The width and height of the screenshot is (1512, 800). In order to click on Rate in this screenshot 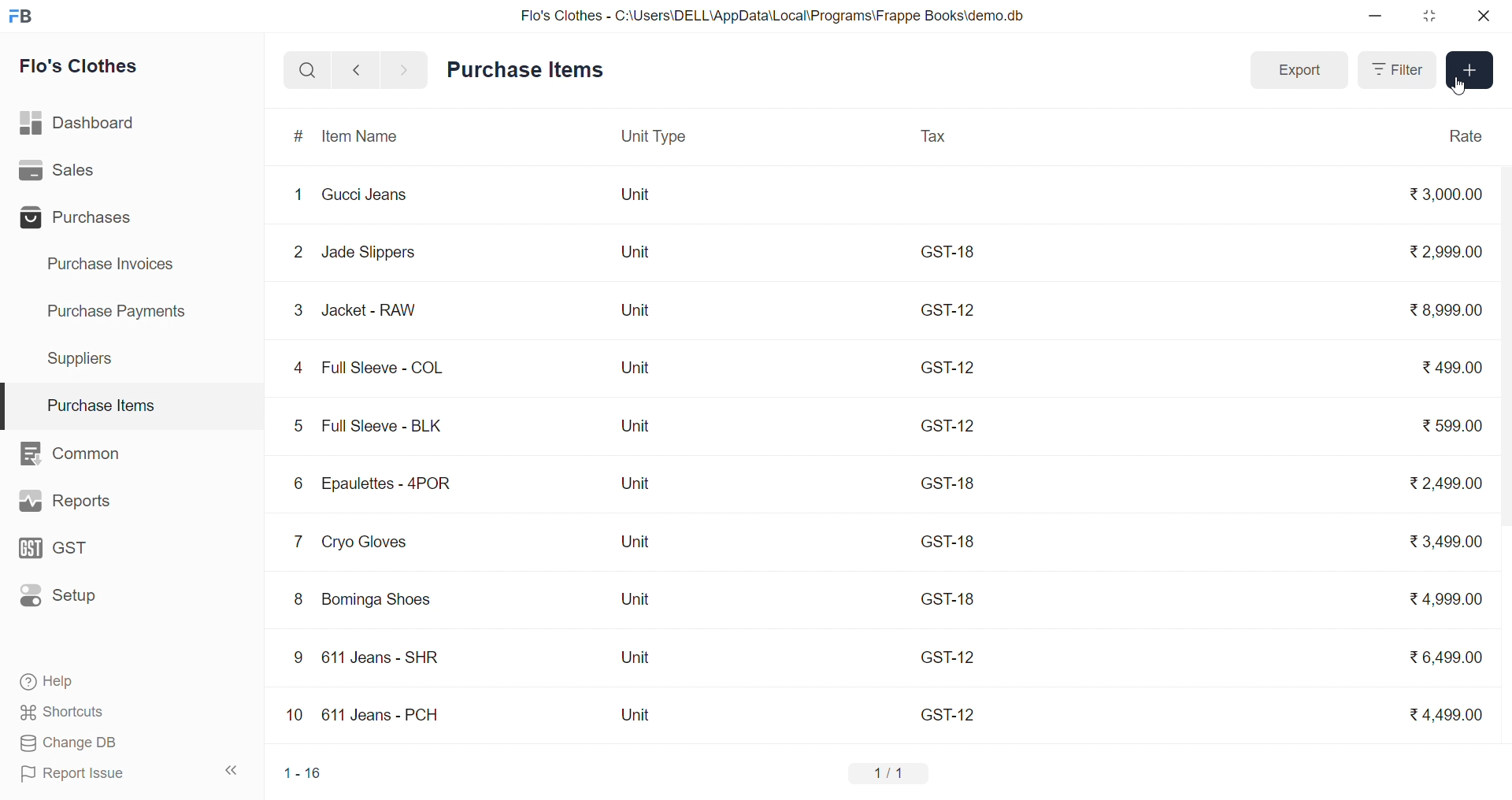, I will do `click(1466, 138)`.